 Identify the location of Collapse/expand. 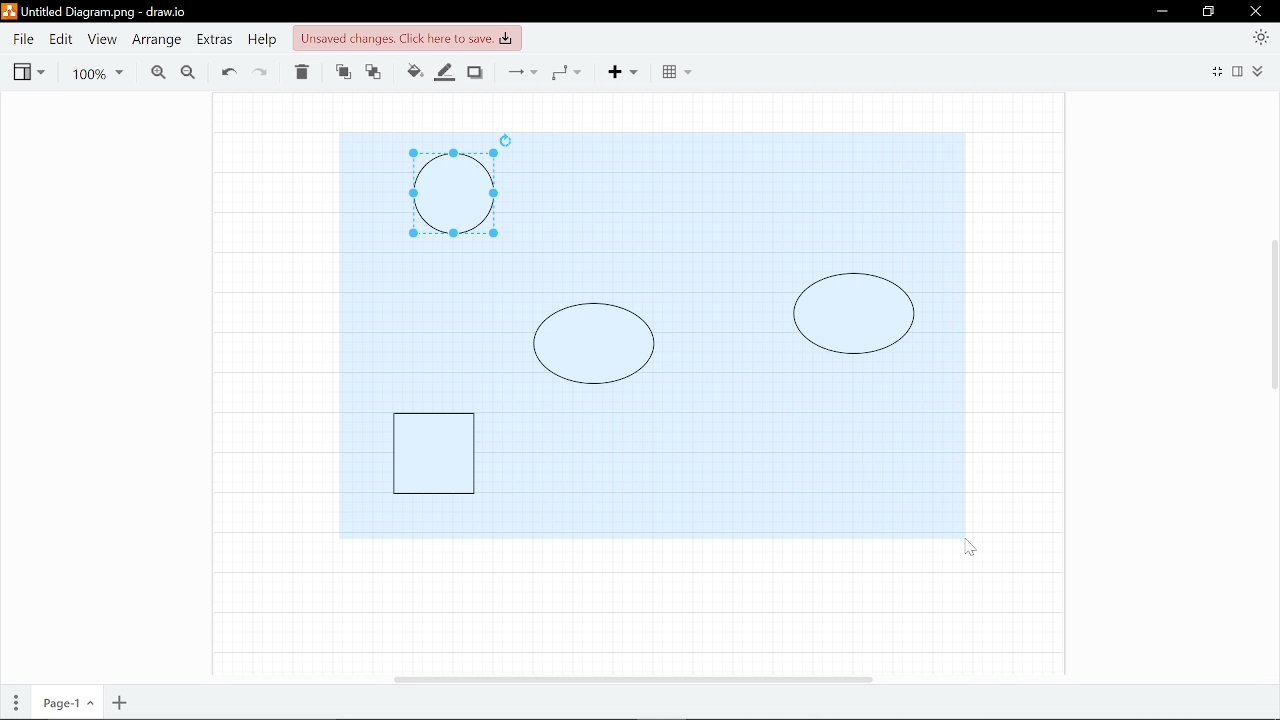
(1261, 71).